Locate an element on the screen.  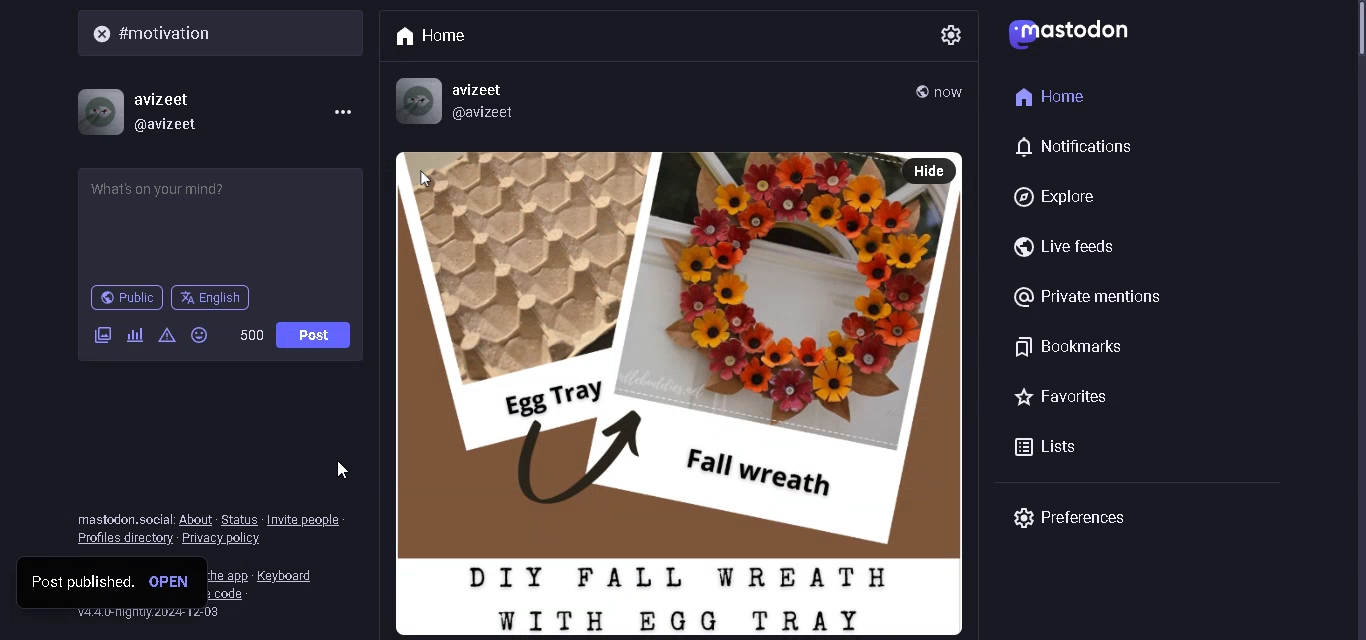
live feeds is located at coordinates (1062, 246).